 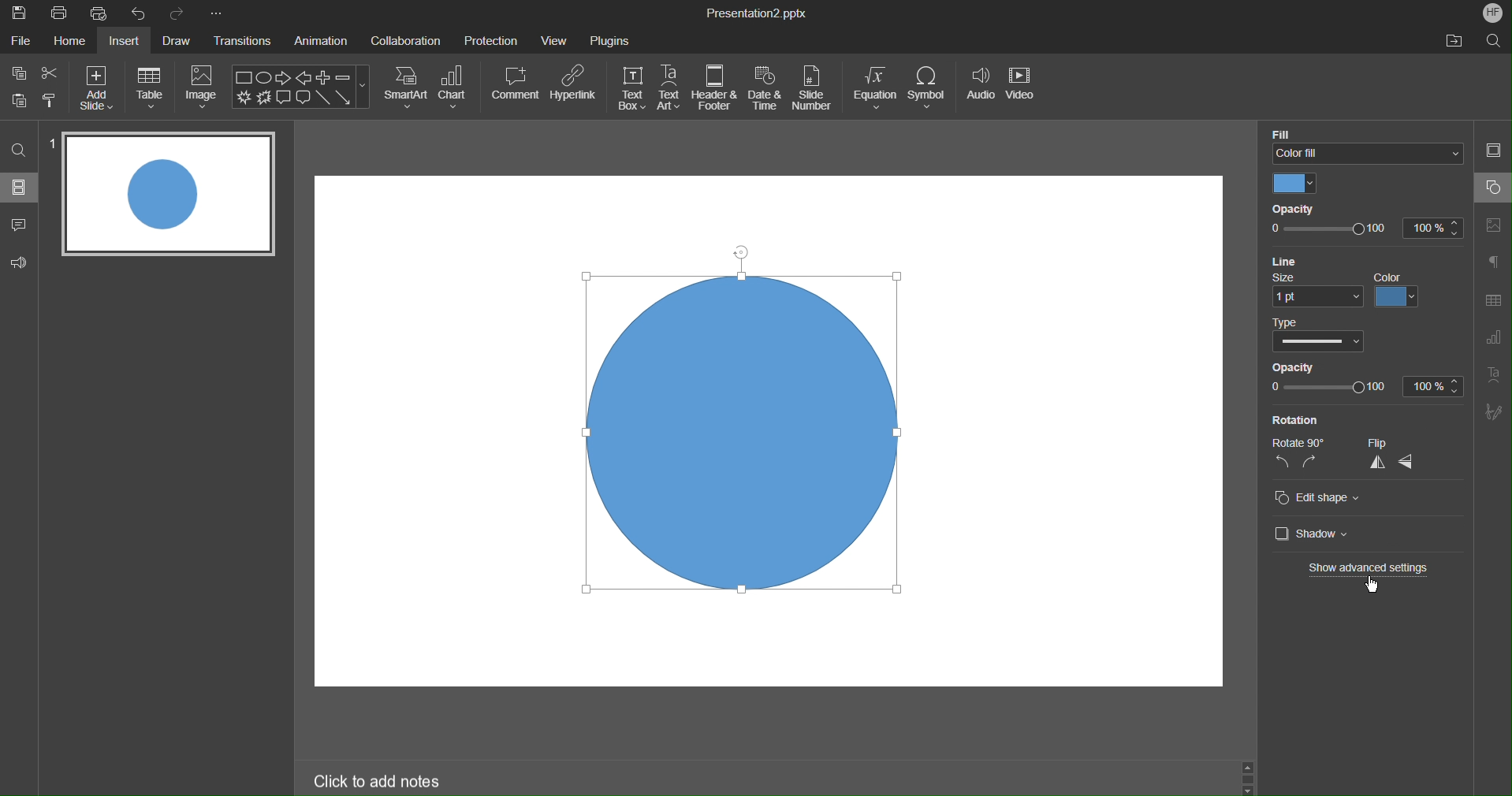 I want to click on Opacity, so click(x=1290, y=210).